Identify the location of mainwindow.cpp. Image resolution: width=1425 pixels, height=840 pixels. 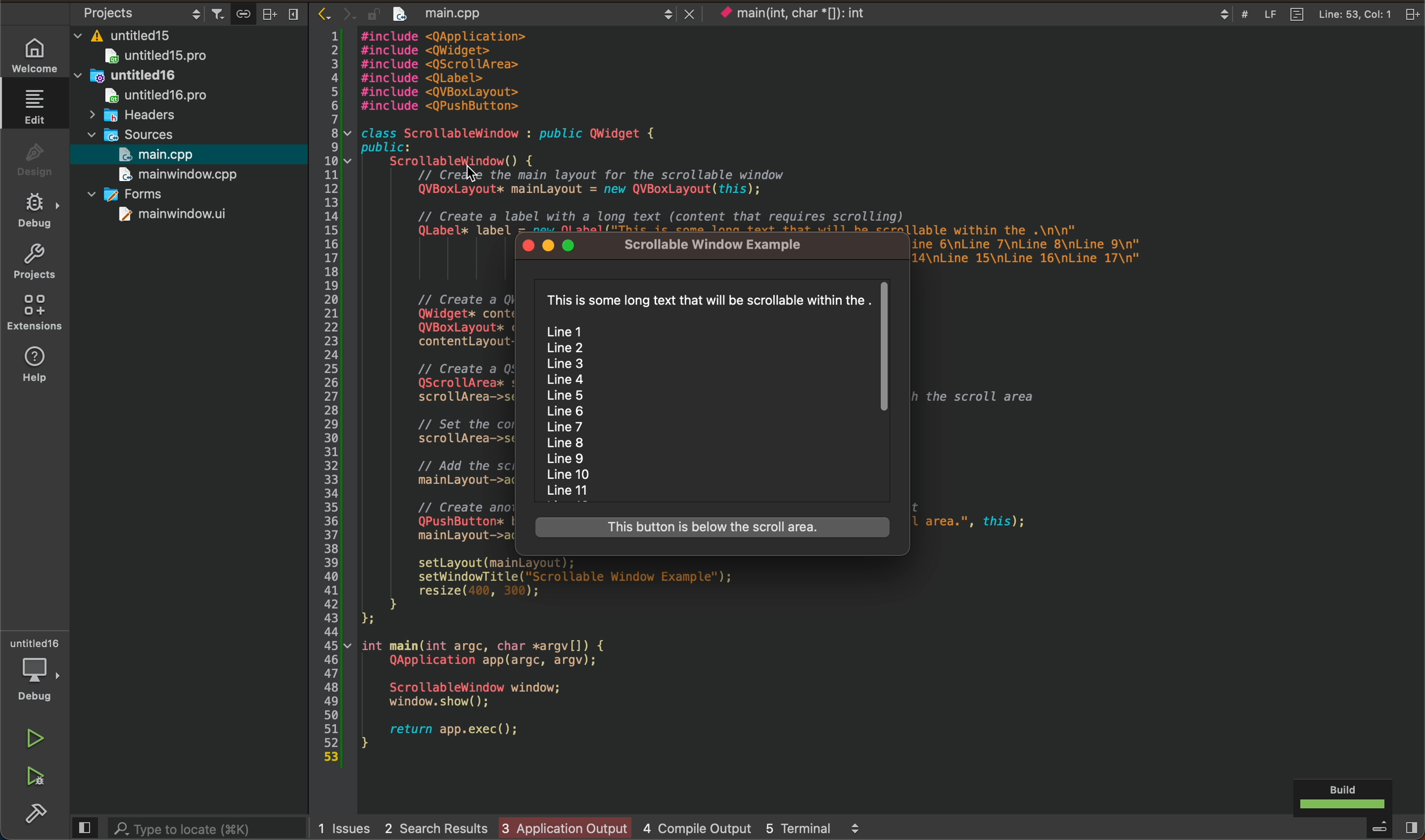
(173, 175).